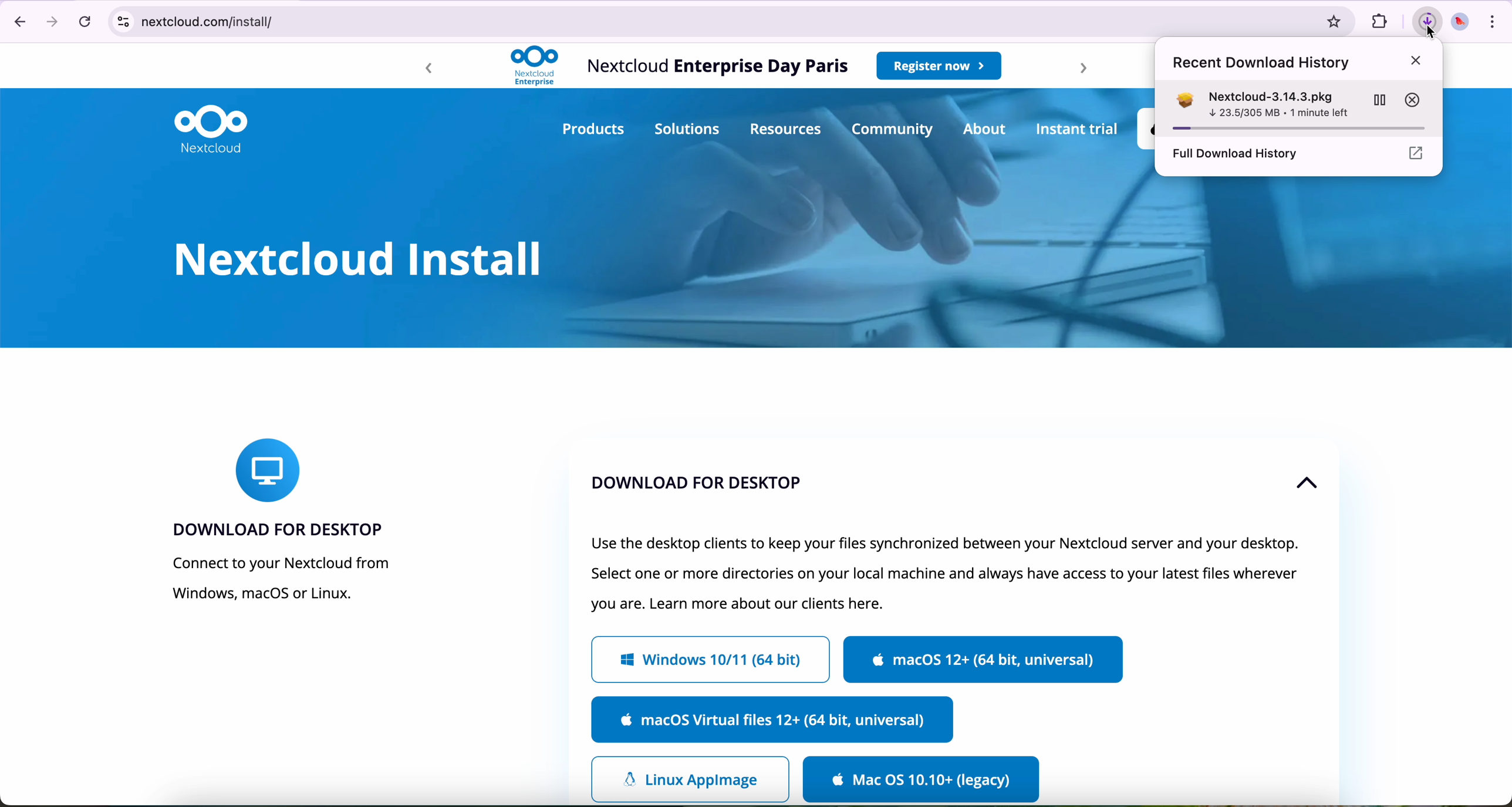 This screenshot has height=807, width=1512. Describe the element at coordinates (984, 660) in the screenshot. I see `MacOs 12+ (64 bit, universal)` at that location.